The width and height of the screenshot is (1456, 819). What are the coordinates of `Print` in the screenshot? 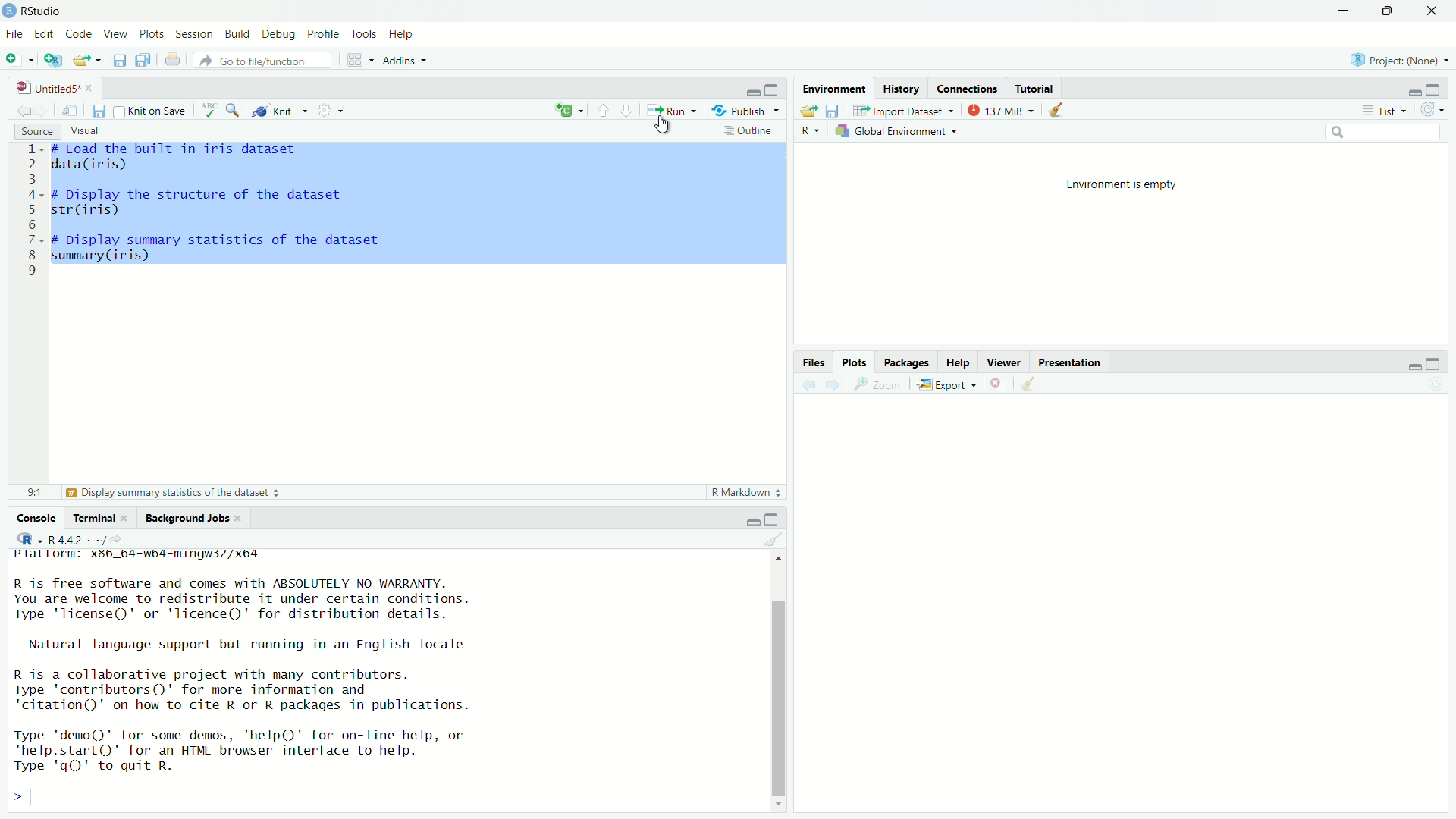 It's located at (172, 58).